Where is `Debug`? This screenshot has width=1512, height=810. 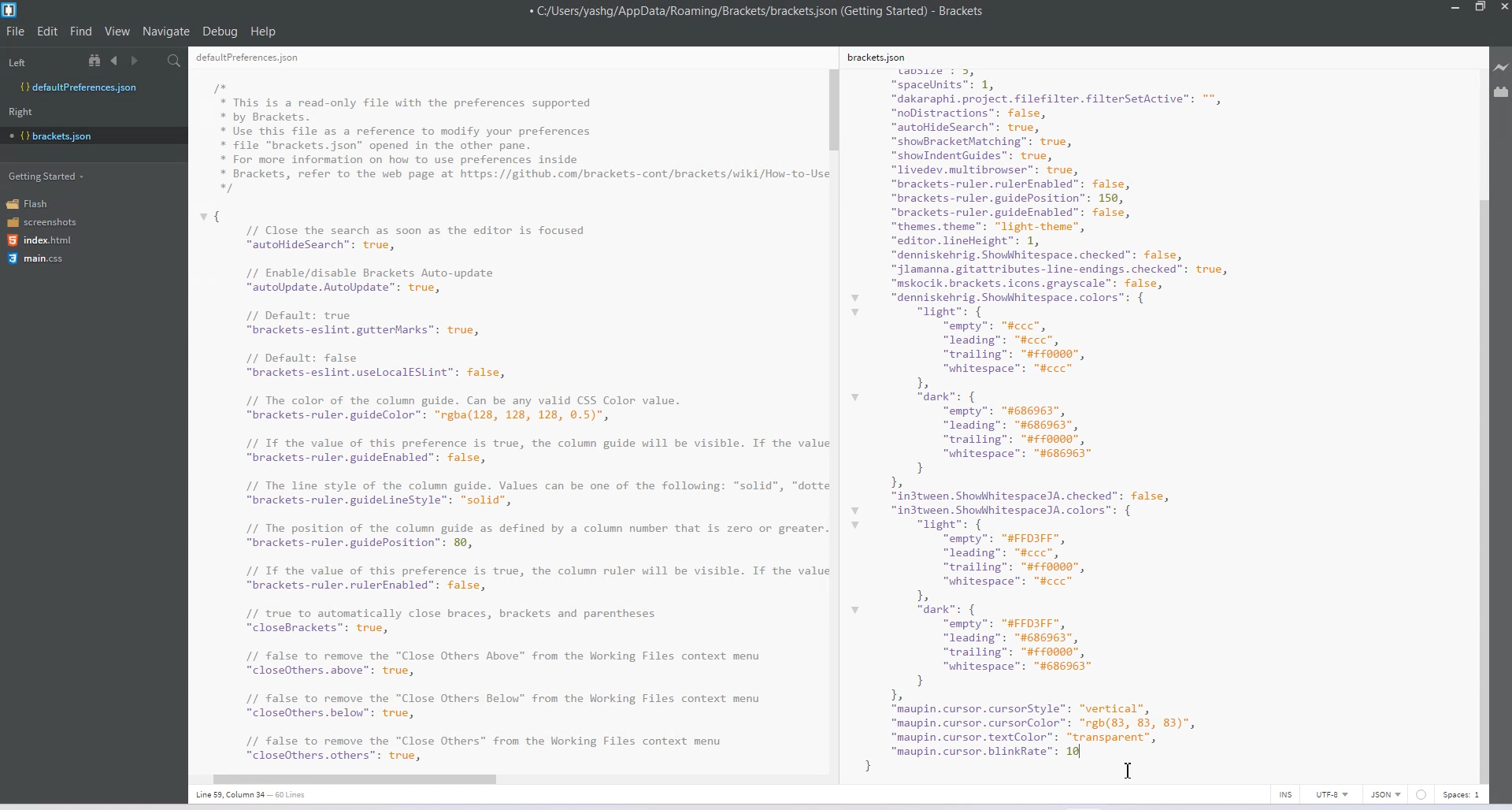
Debug is located at coordinates (220, 31).